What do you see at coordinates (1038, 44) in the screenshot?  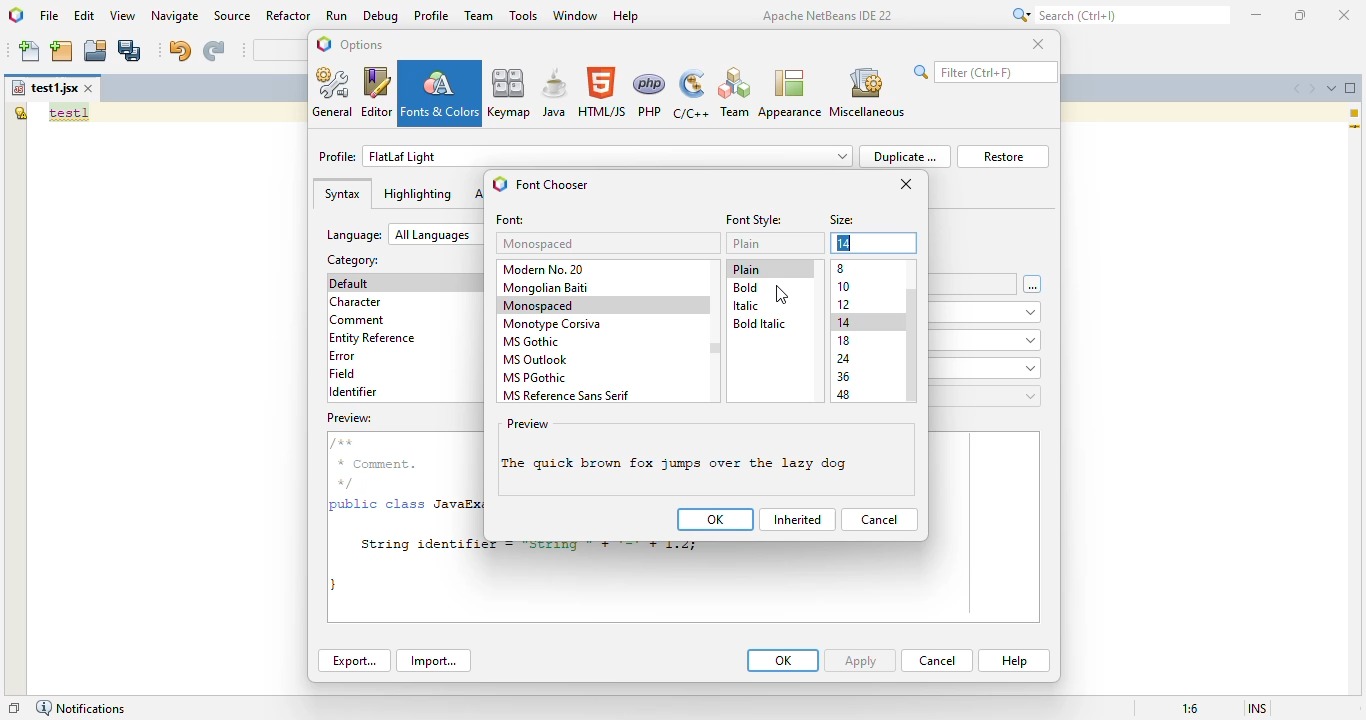 I see `close` at bounding box center [1038, 44].